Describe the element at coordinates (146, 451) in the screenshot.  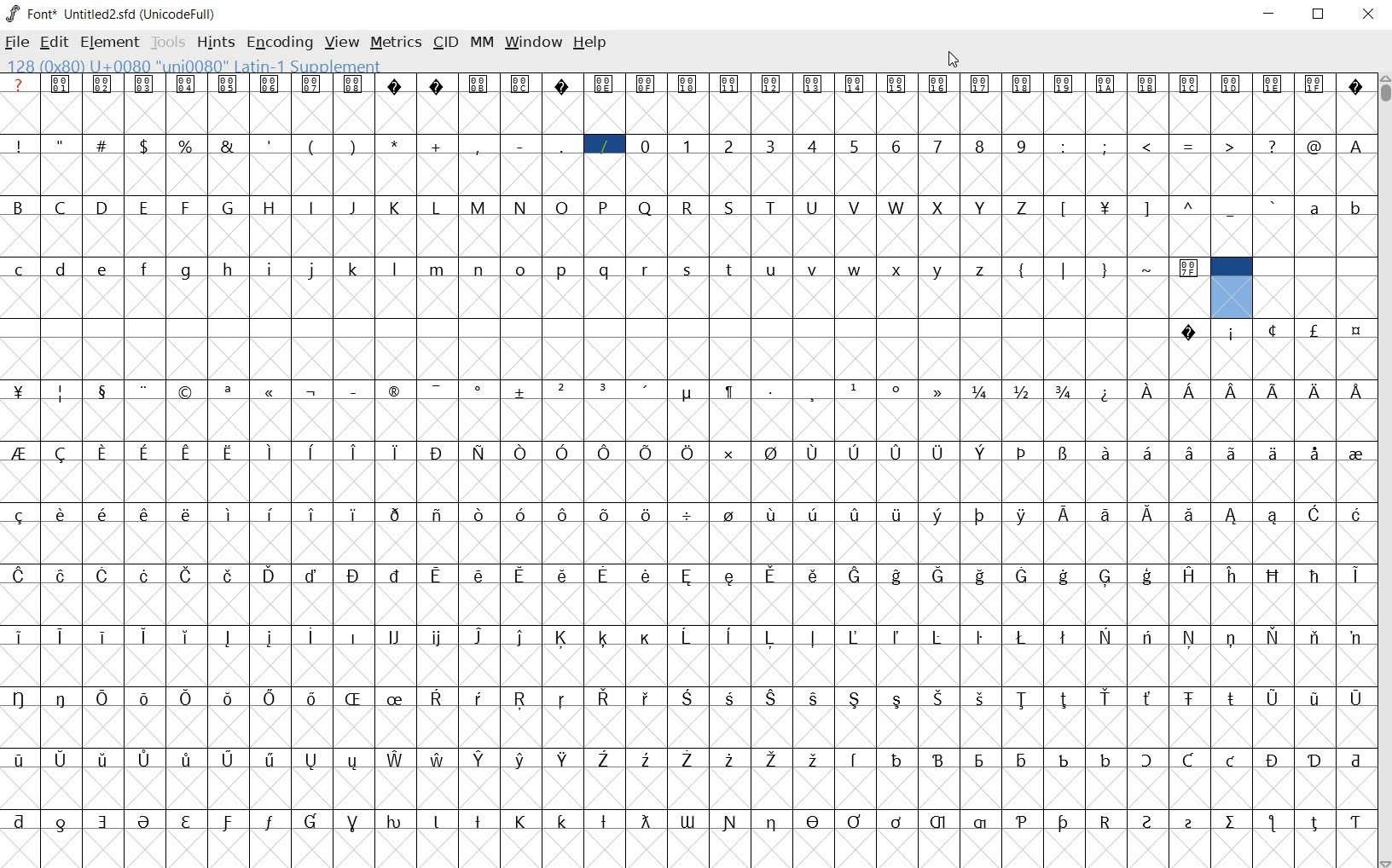
I see `Symbol` at that location.